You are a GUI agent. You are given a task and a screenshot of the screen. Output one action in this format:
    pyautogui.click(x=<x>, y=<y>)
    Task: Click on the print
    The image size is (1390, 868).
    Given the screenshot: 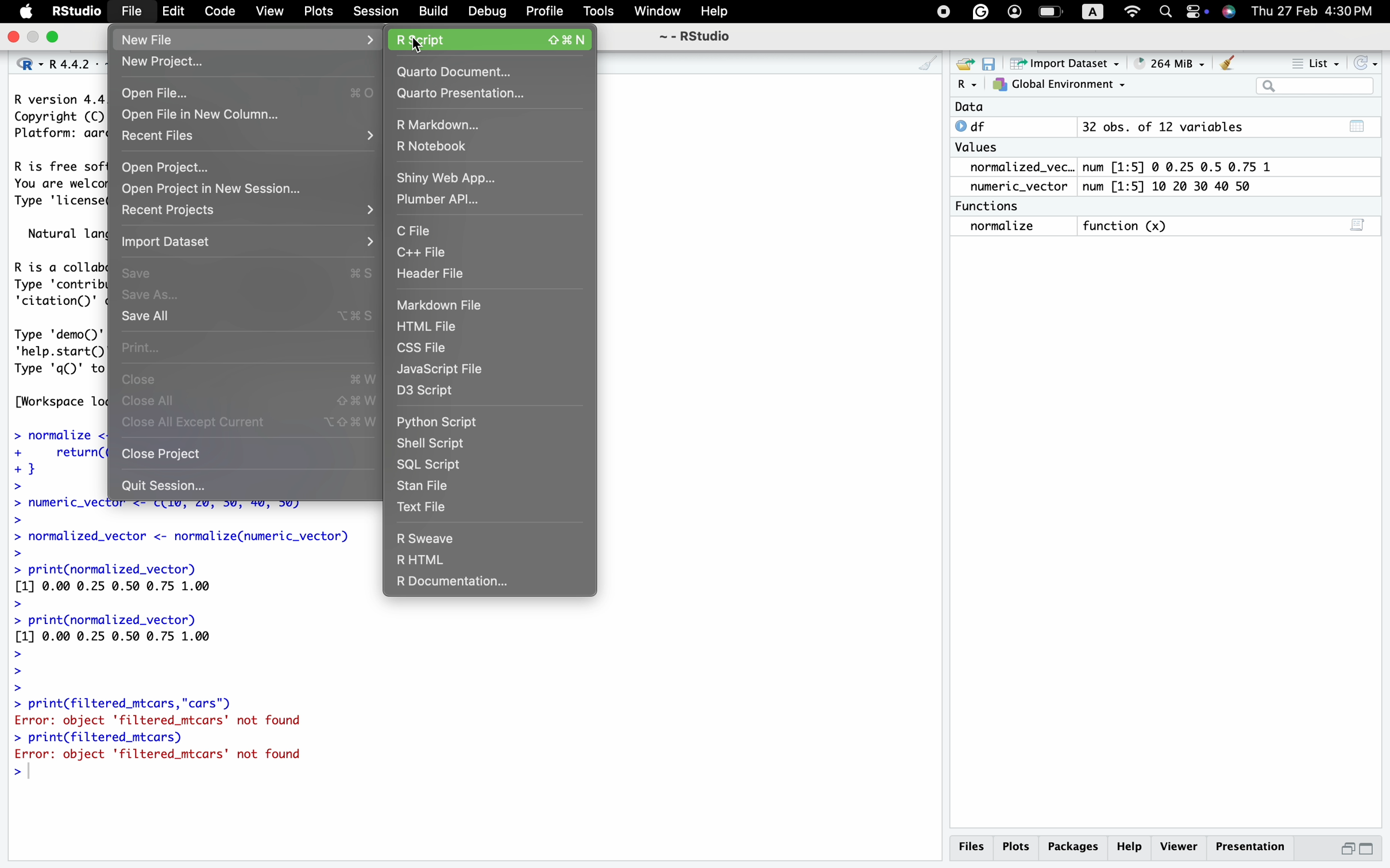 What is the action you would take?
    pyautogui.click(x=251, y=346)
    